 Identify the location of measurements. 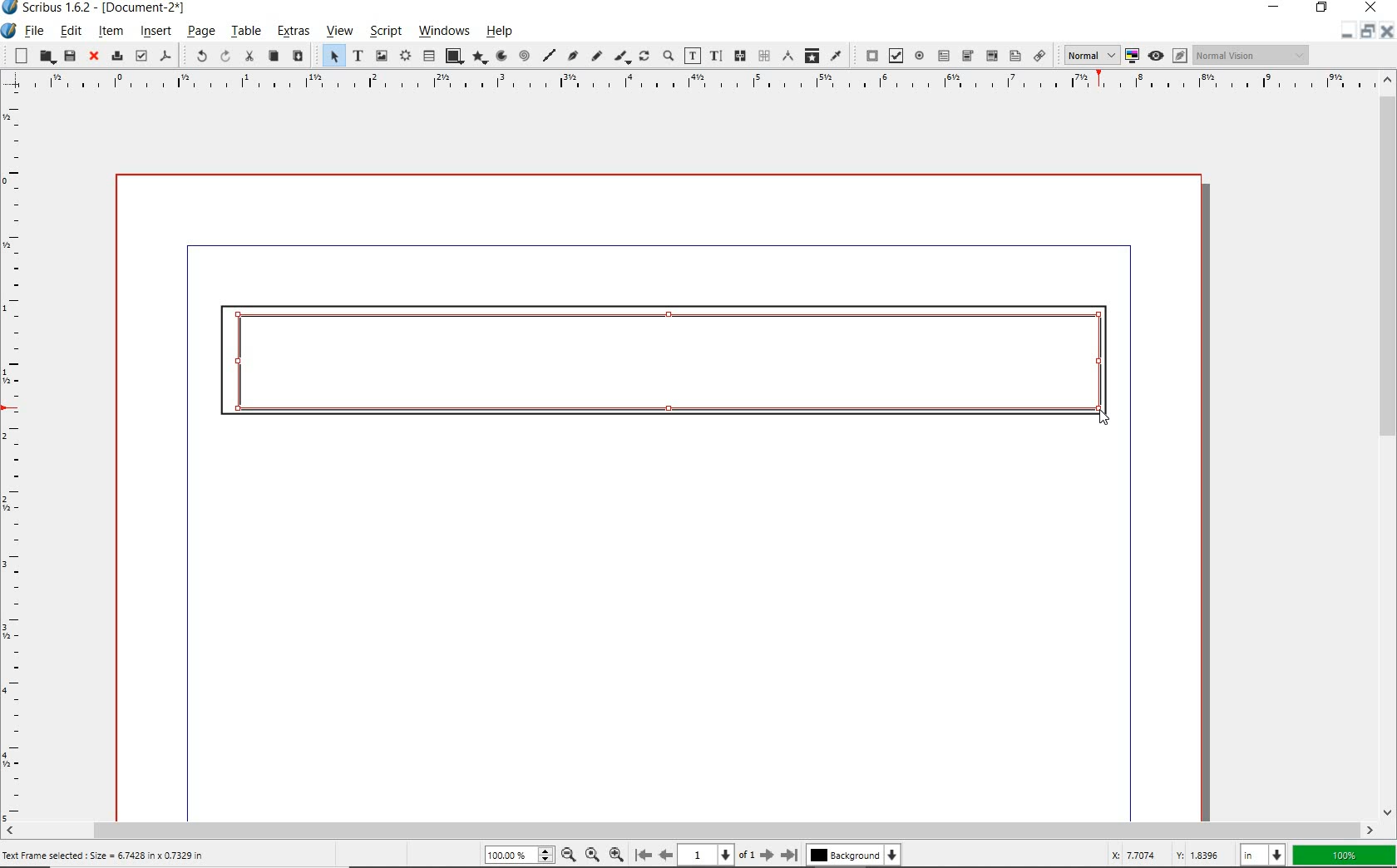
(786, 57).